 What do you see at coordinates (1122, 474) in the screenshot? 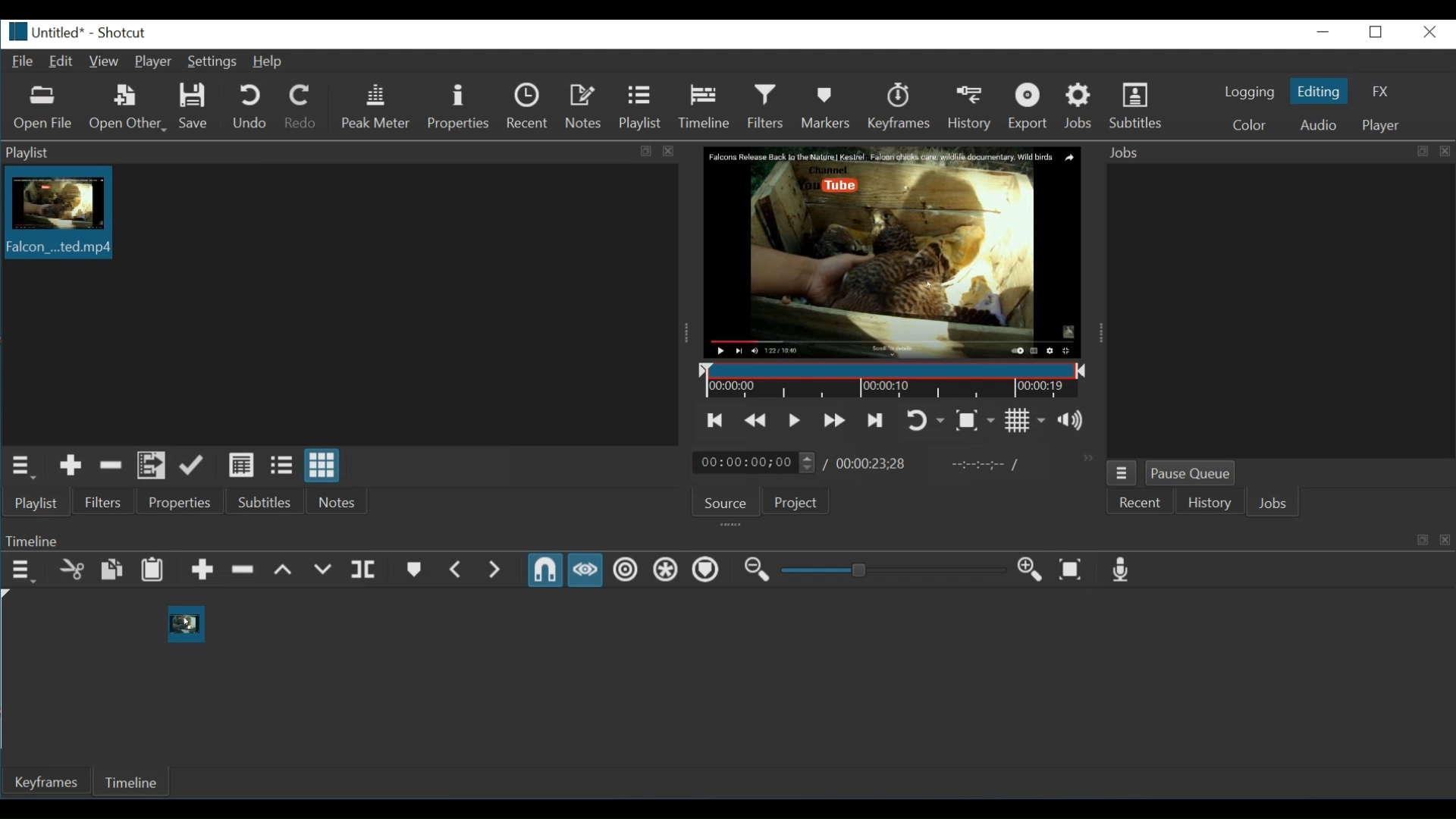
I see `Job menu` at bounding box center [1122, 474].